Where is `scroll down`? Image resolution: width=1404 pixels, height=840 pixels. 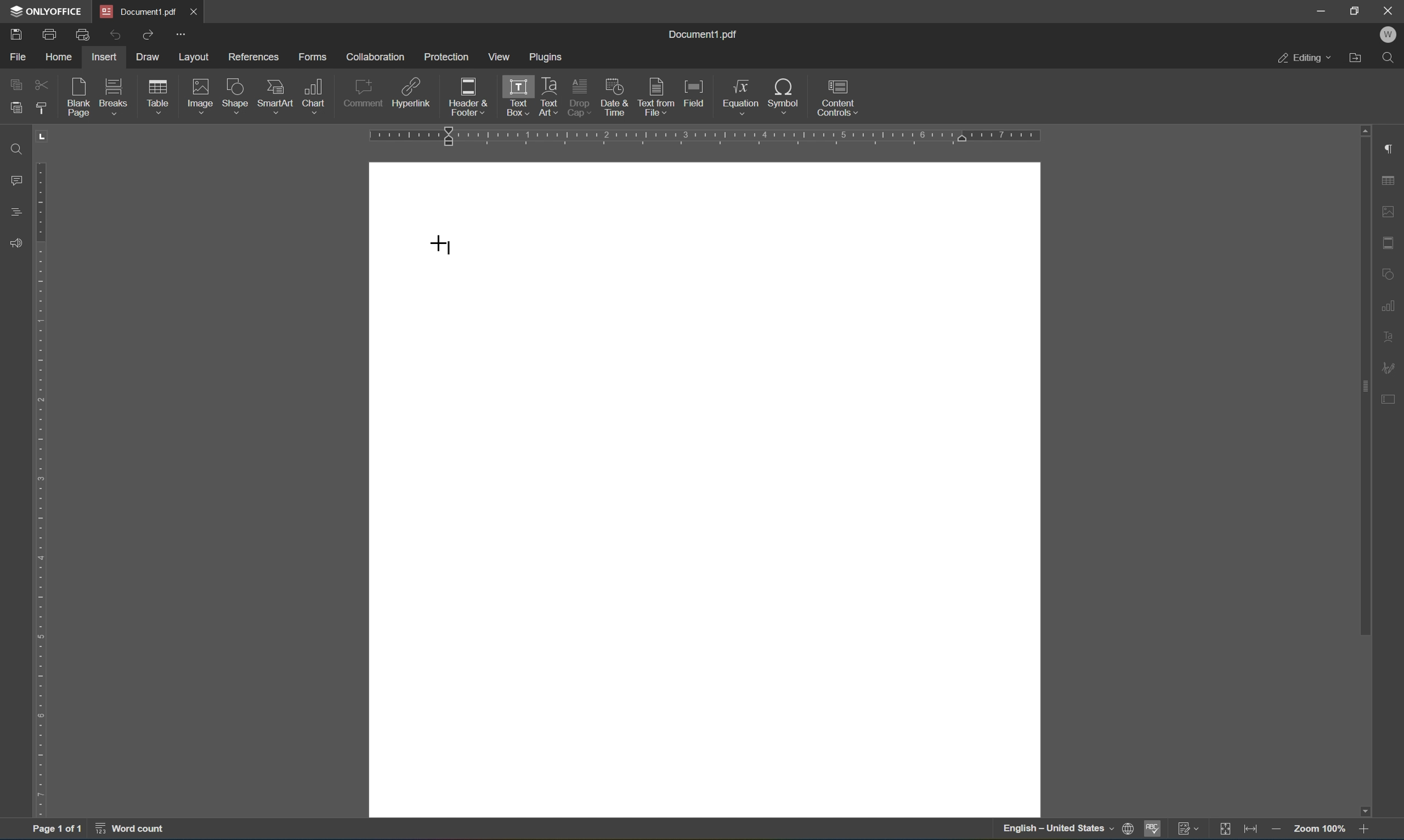
scroll down is located at coordinates (1364, 811).